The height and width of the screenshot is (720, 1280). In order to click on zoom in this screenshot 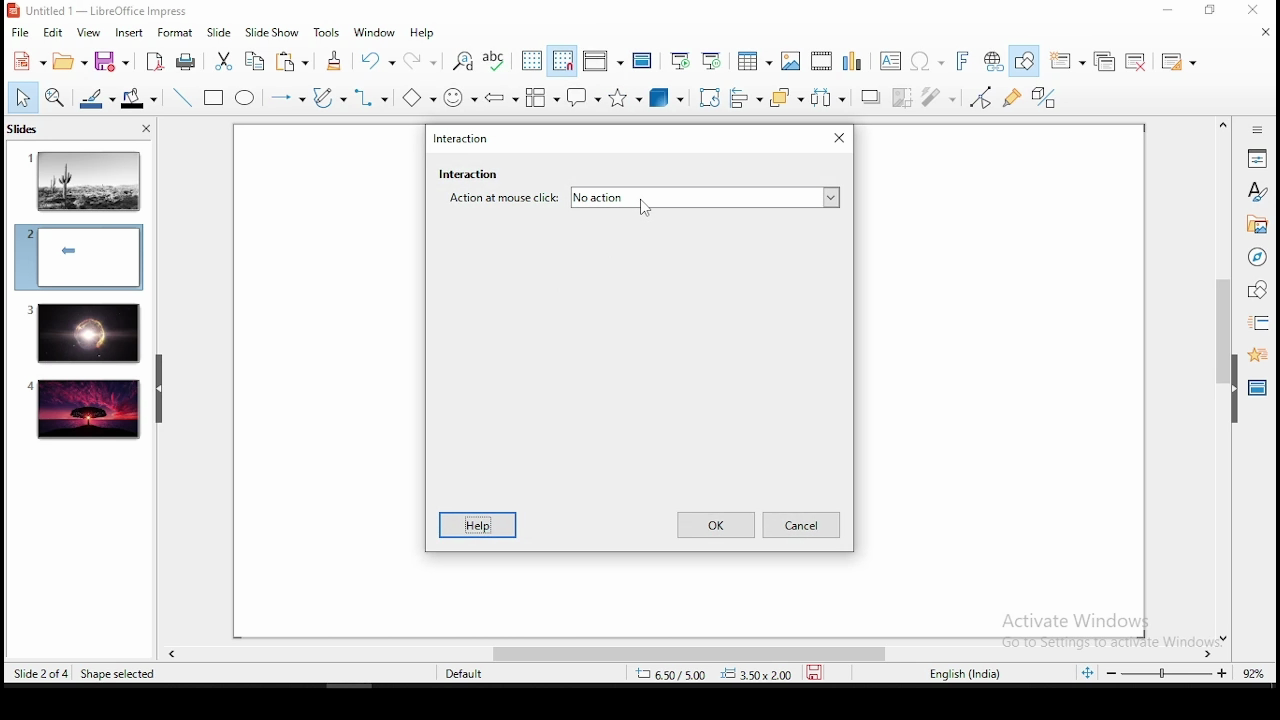, I will do `click(1169, 675)`.